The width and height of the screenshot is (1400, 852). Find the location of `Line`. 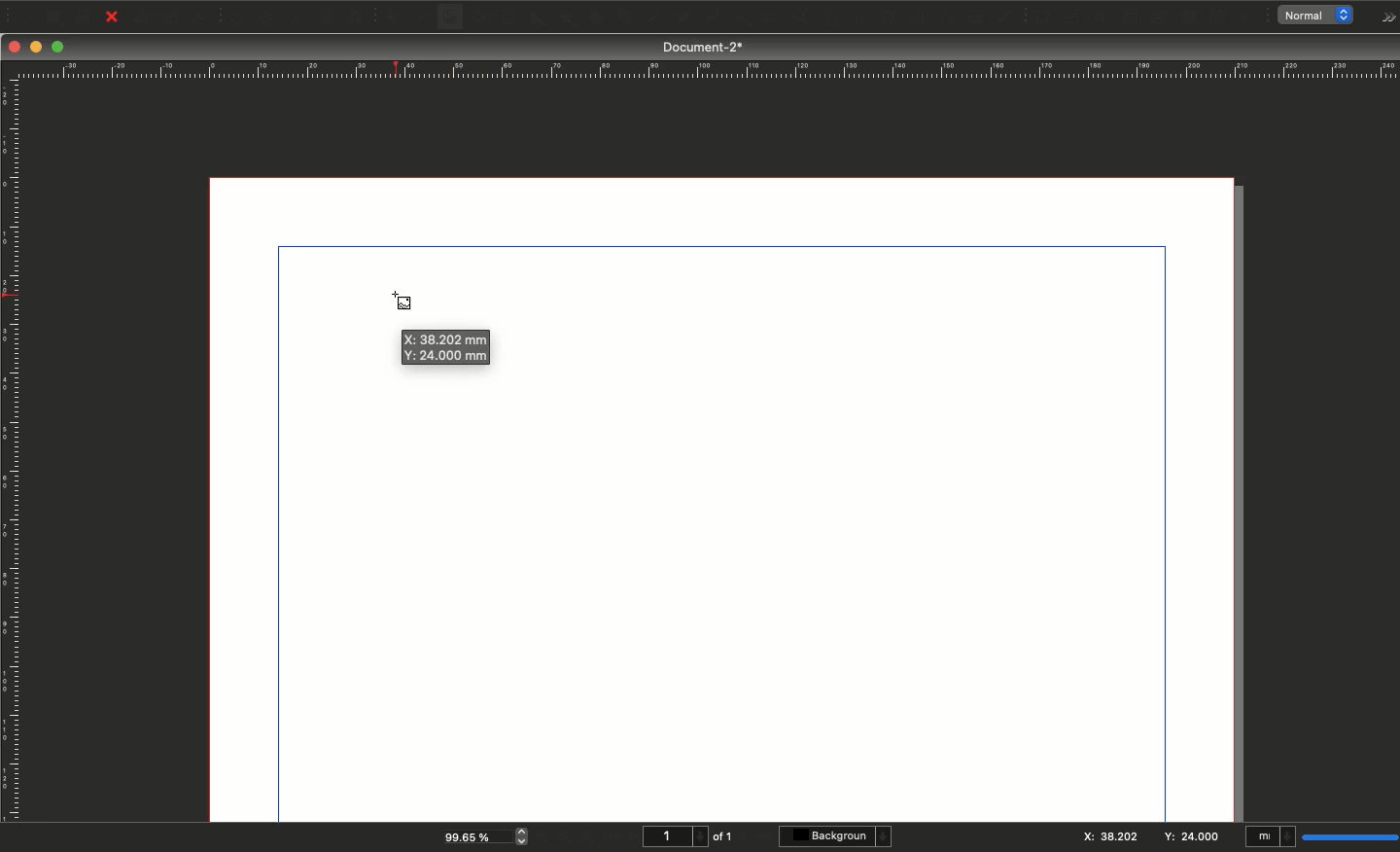

Line is located at coordinates (652, 18).